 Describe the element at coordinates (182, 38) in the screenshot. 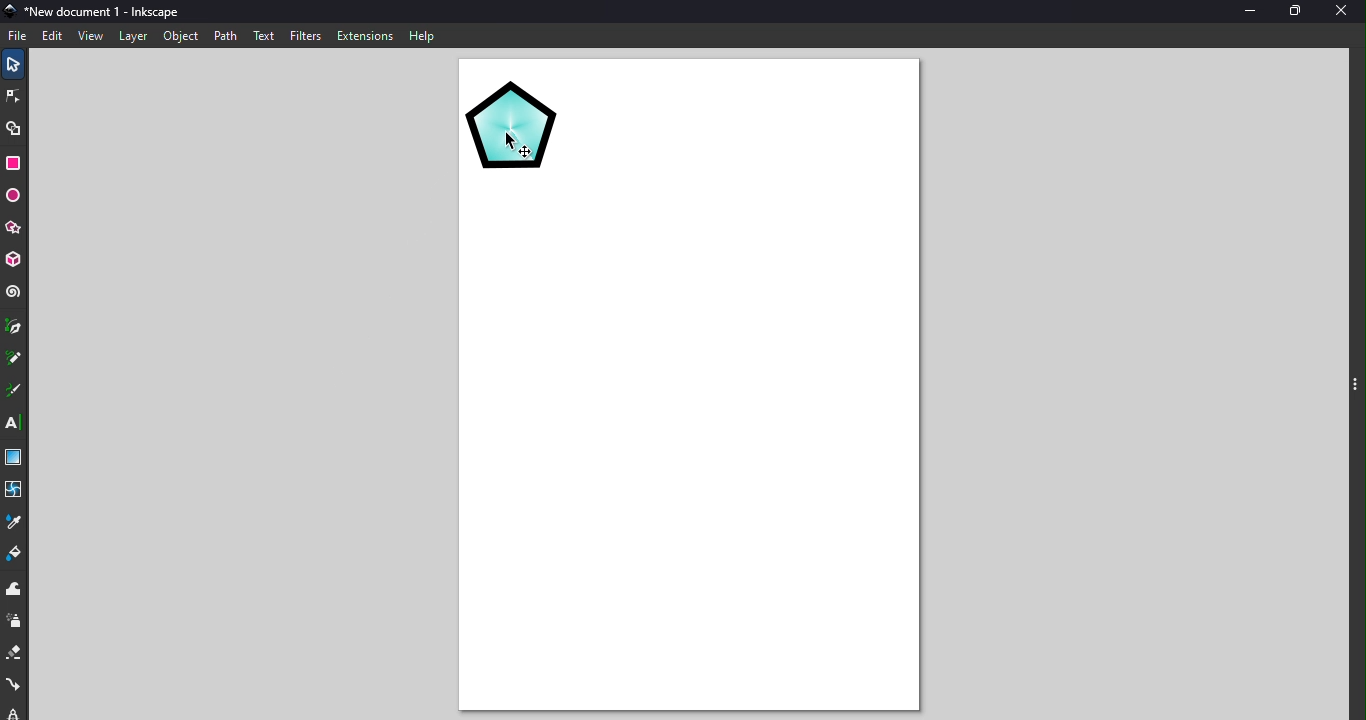

I see `Object` at that location.